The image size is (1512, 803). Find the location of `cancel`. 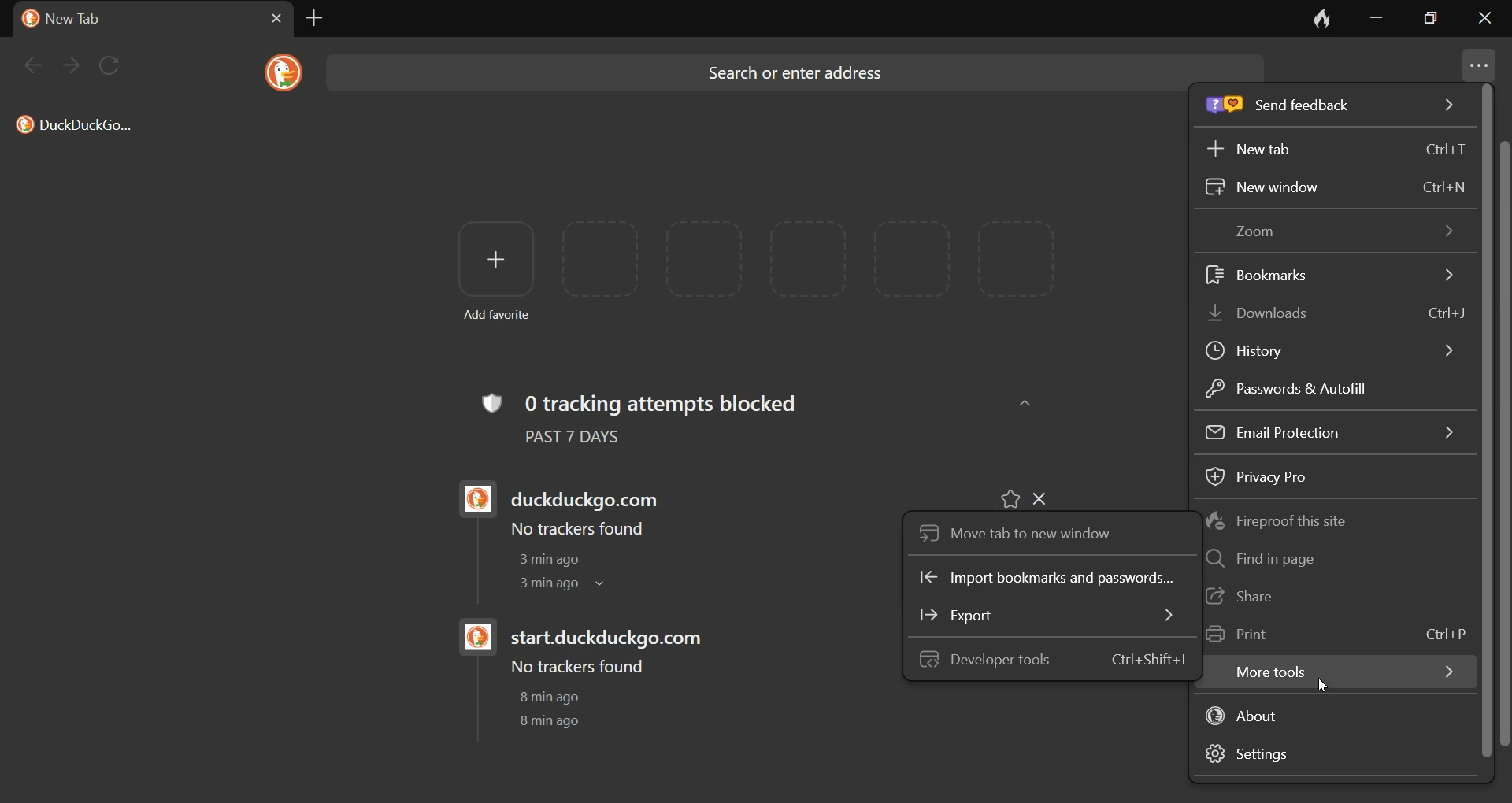

cancel is located at coordinates (265, 17).